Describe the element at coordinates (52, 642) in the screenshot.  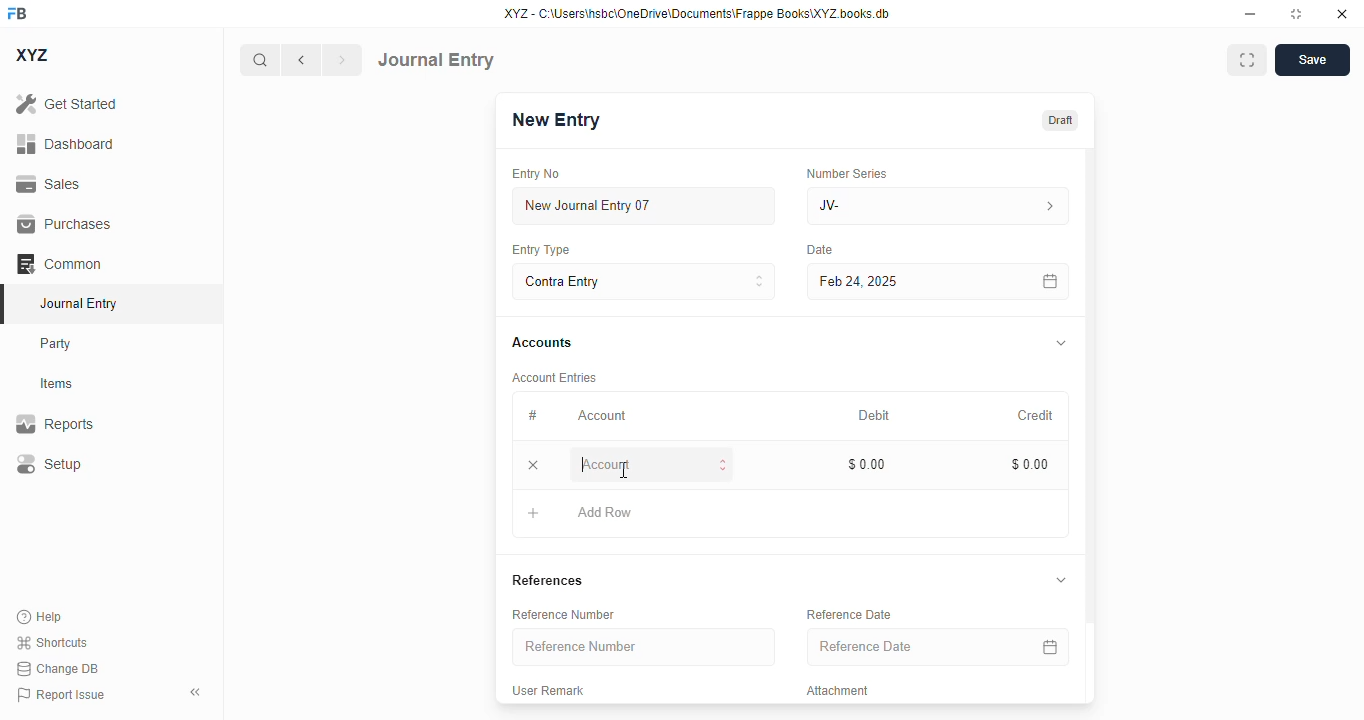
I see `shortcuts` at that location.